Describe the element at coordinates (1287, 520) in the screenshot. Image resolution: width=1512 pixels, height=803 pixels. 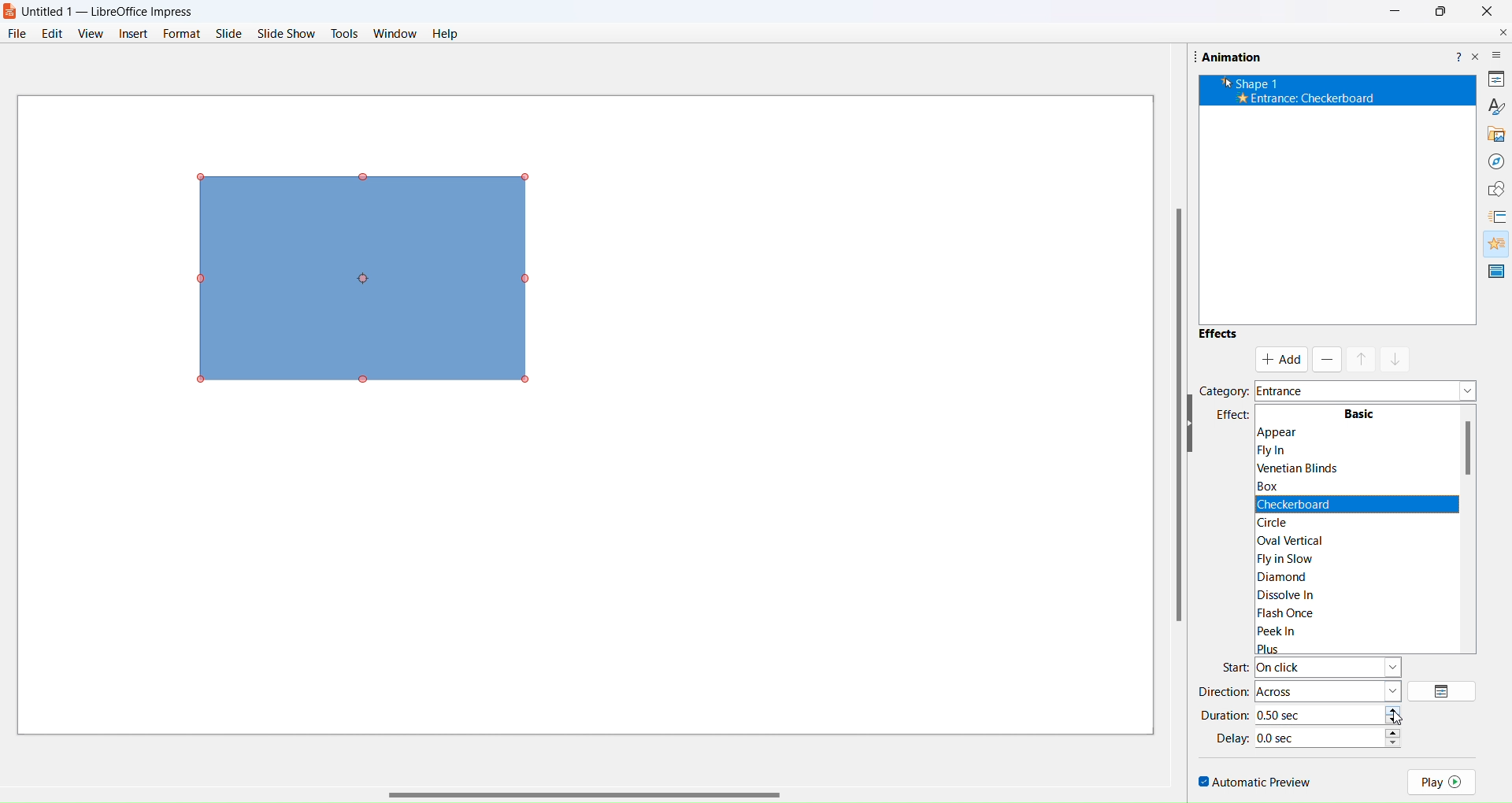
I see `circle` at that location.